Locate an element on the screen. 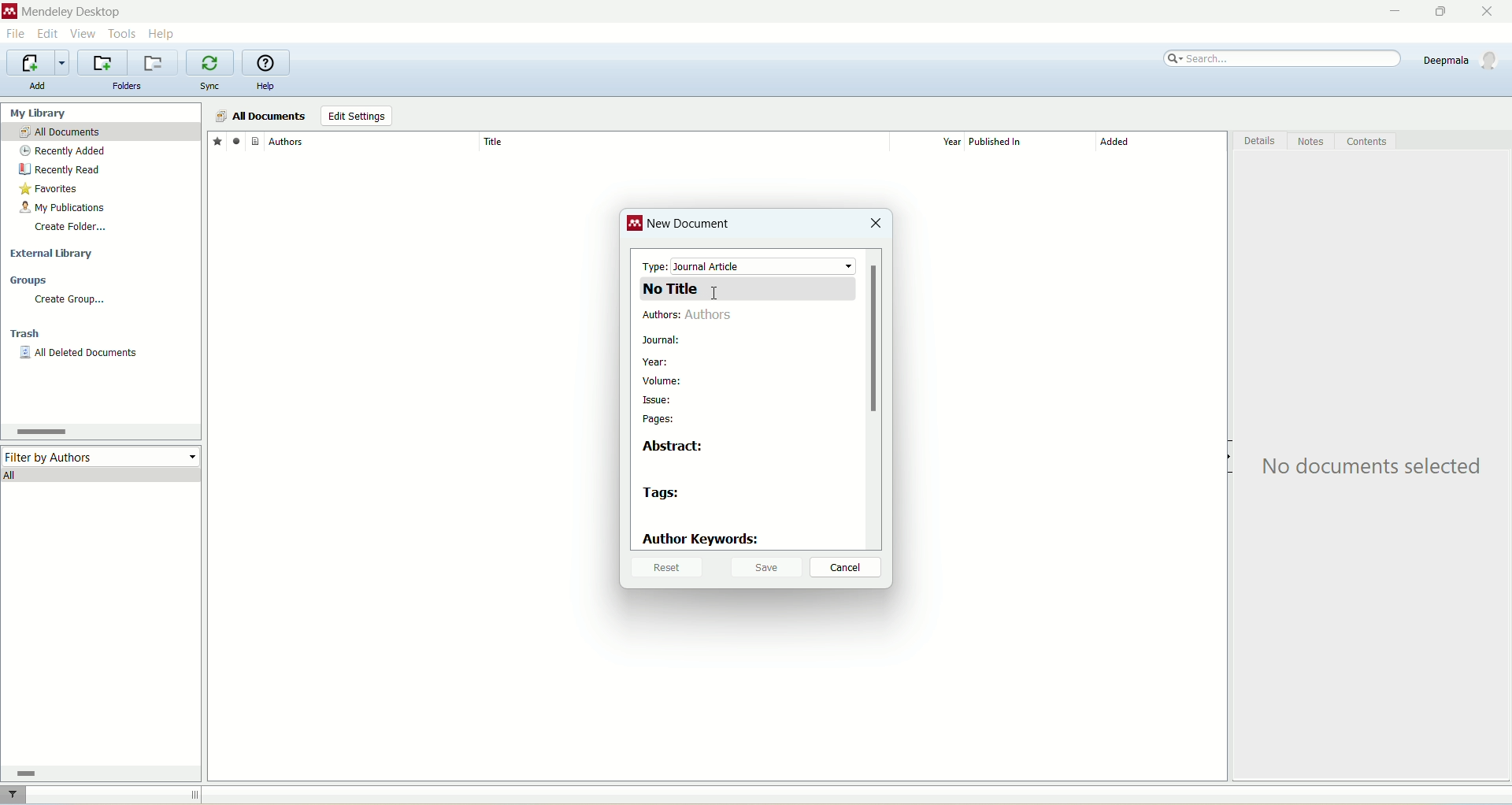  help is located at coordinates (265, 87).